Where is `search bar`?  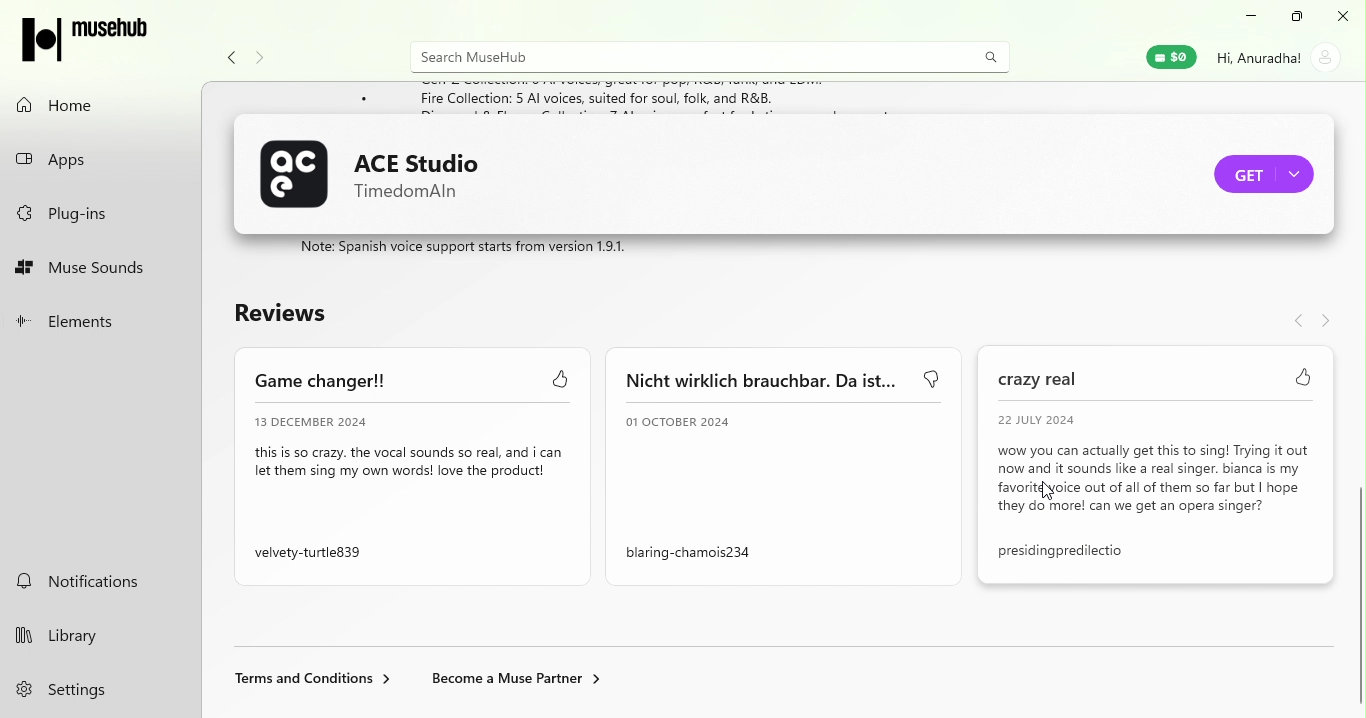
search bar is located at coordinates (682, 56).